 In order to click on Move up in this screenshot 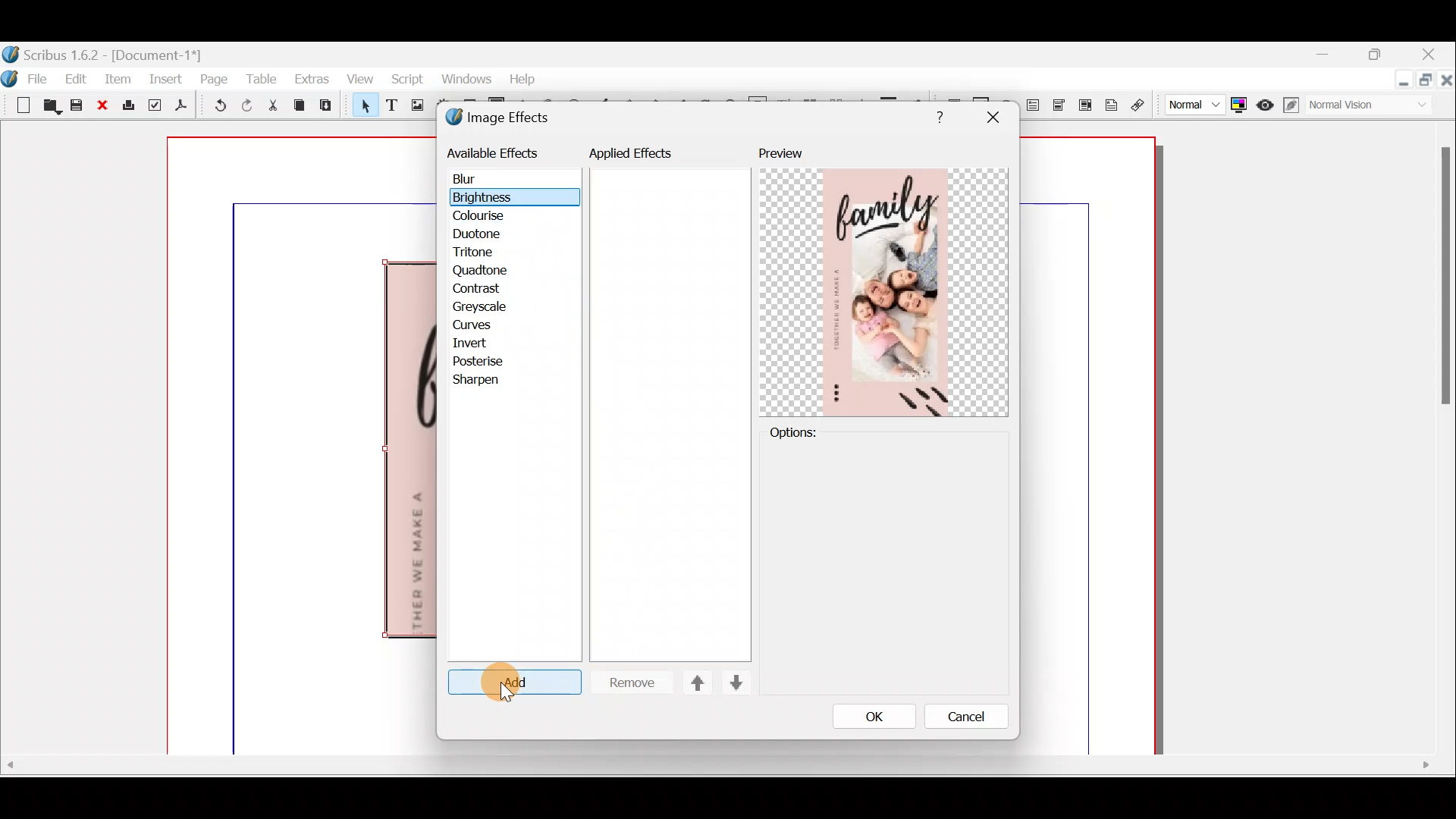, I will do `click(691, 682)`.